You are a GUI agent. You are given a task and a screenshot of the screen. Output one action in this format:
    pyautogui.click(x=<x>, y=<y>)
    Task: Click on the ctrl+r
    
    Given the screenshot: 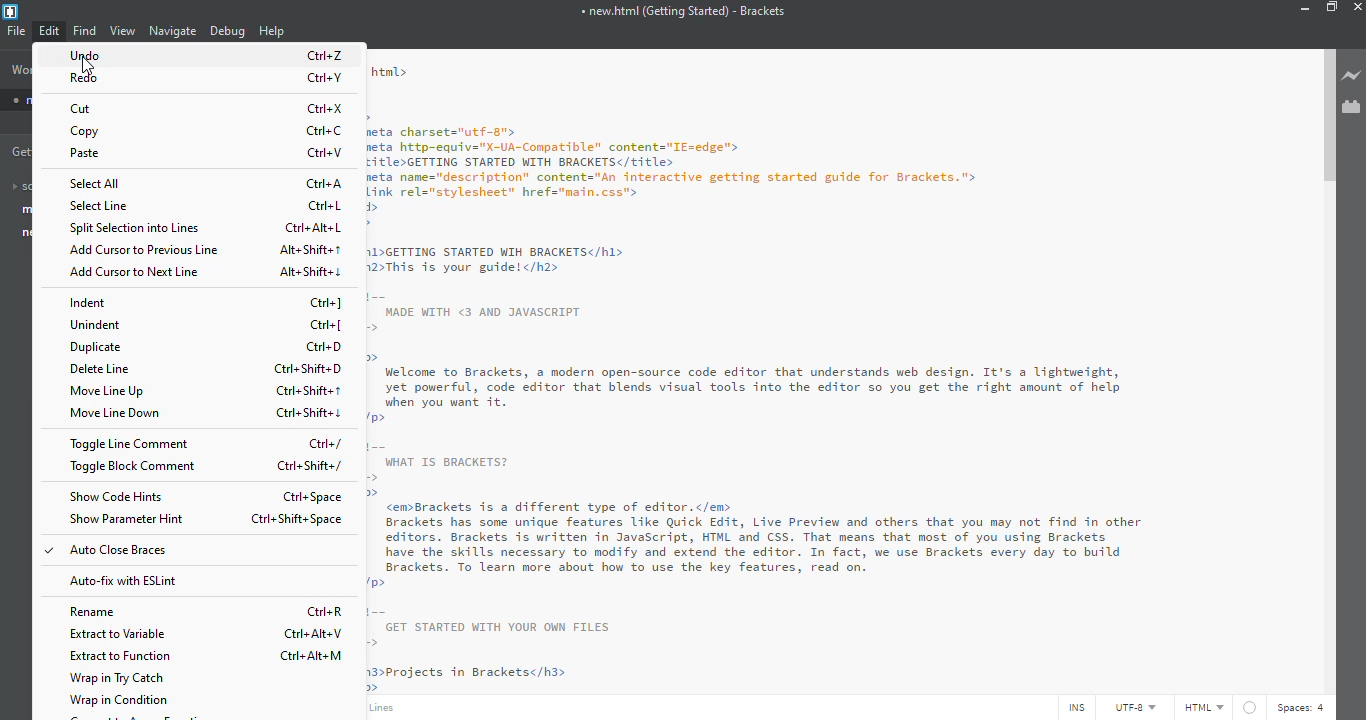 What is the action you would take?
    pyautogui.click(x=327, y=612)
    